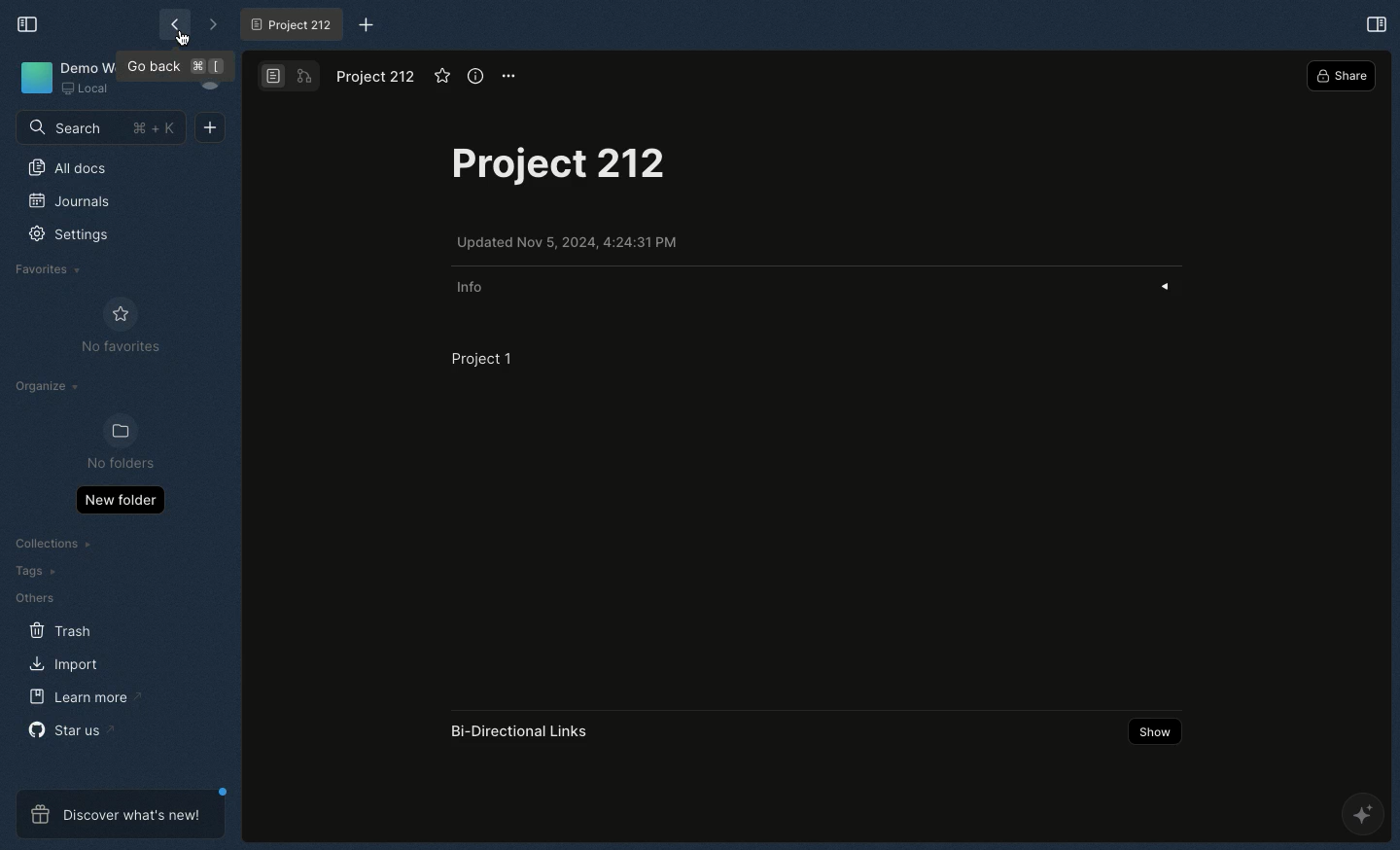 Image resolution: width=1400 pixels, height=850 pixels. What do you see at coordinates (522, 731) in the screenshot?
I see `Bi-directional links` at bounding box center [522, 731].